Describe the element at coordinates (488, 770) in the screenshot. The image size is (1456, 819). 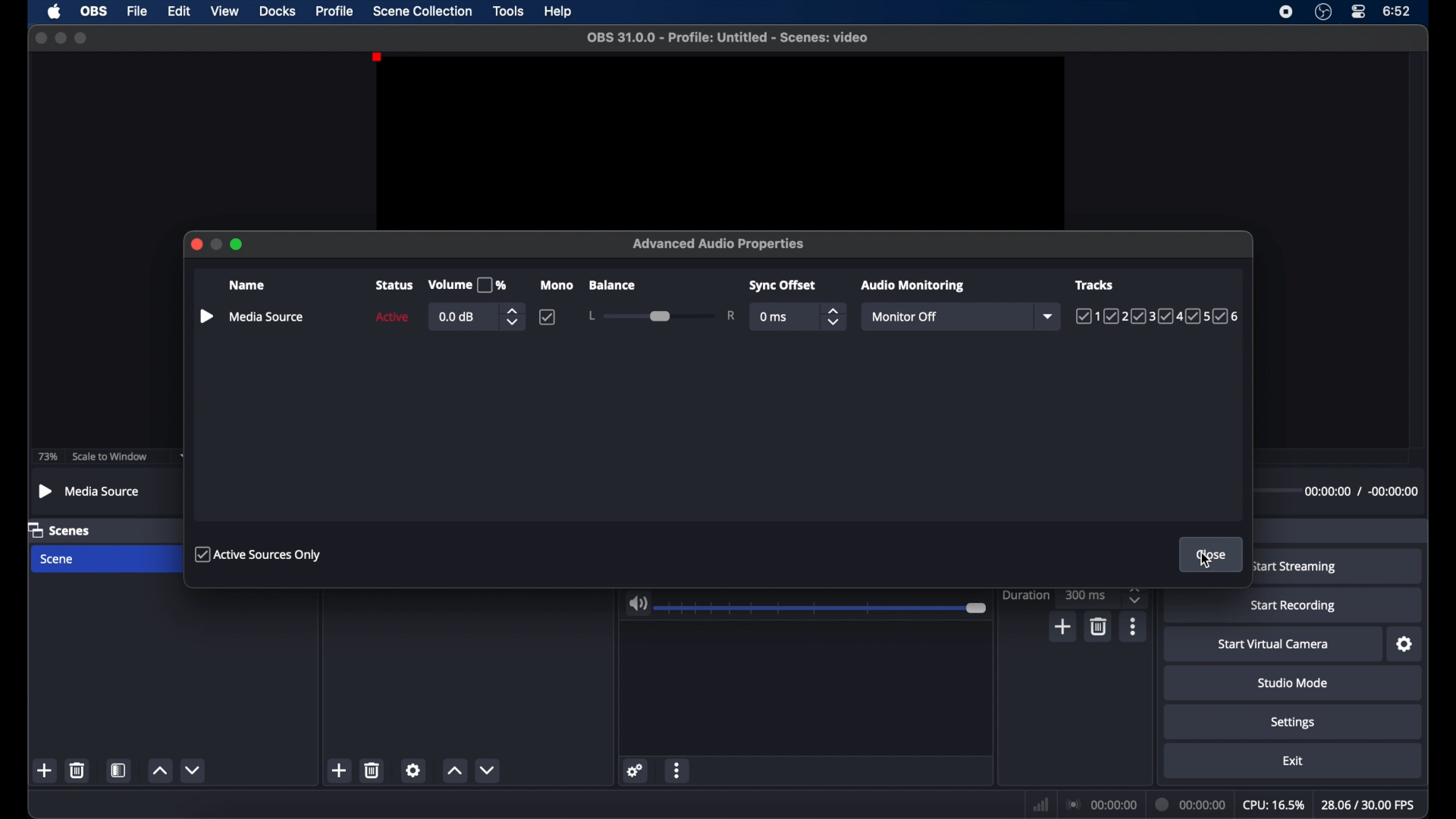
I see `decrement` at that location.